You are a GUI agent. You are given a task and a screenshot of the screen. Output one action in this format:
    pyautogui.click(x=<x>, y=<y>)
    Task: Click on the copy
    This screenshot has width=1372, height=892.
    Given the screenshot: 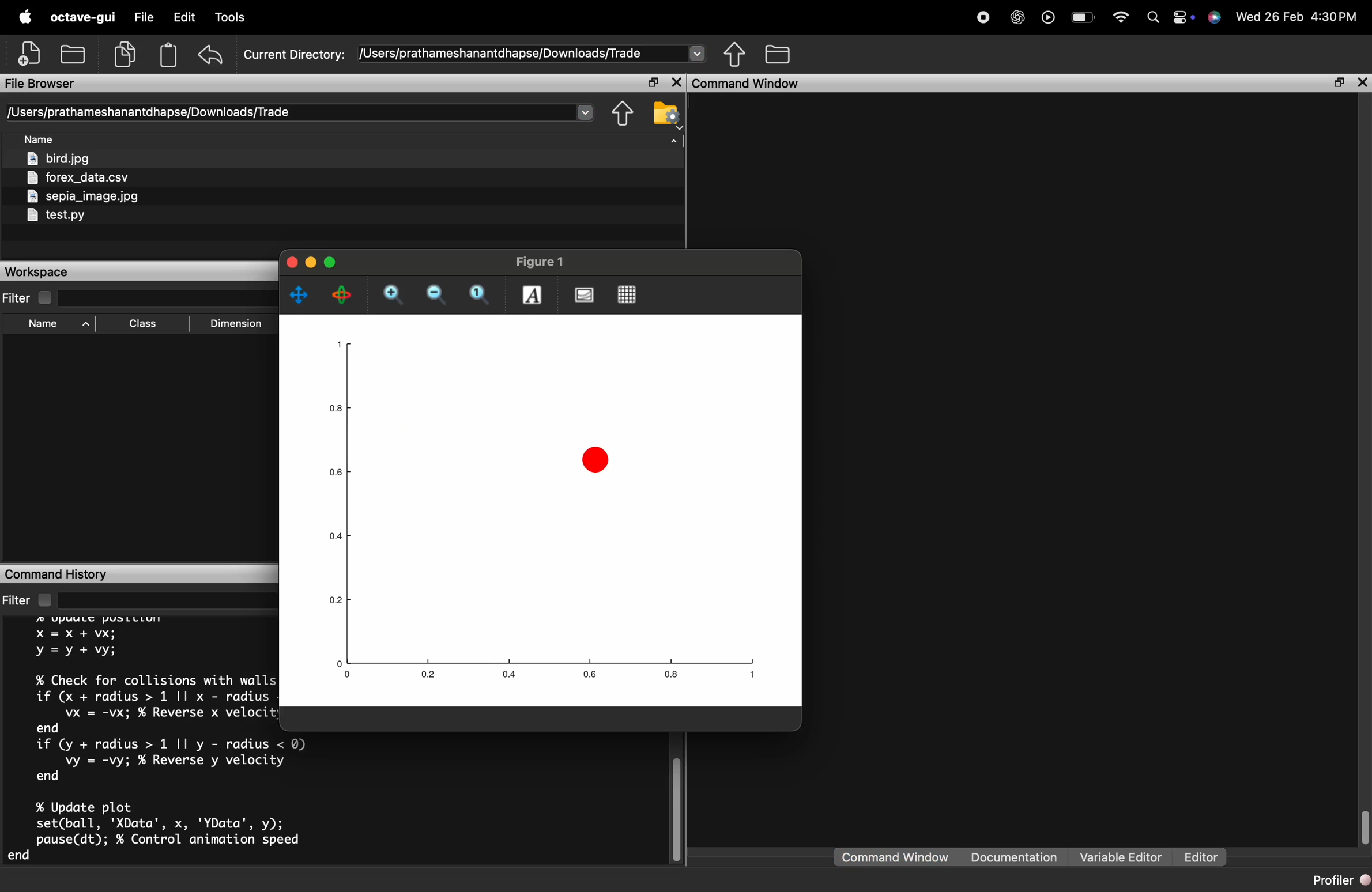 What is the action you would take?
    pyautogui.click(x=126, y=54)
    